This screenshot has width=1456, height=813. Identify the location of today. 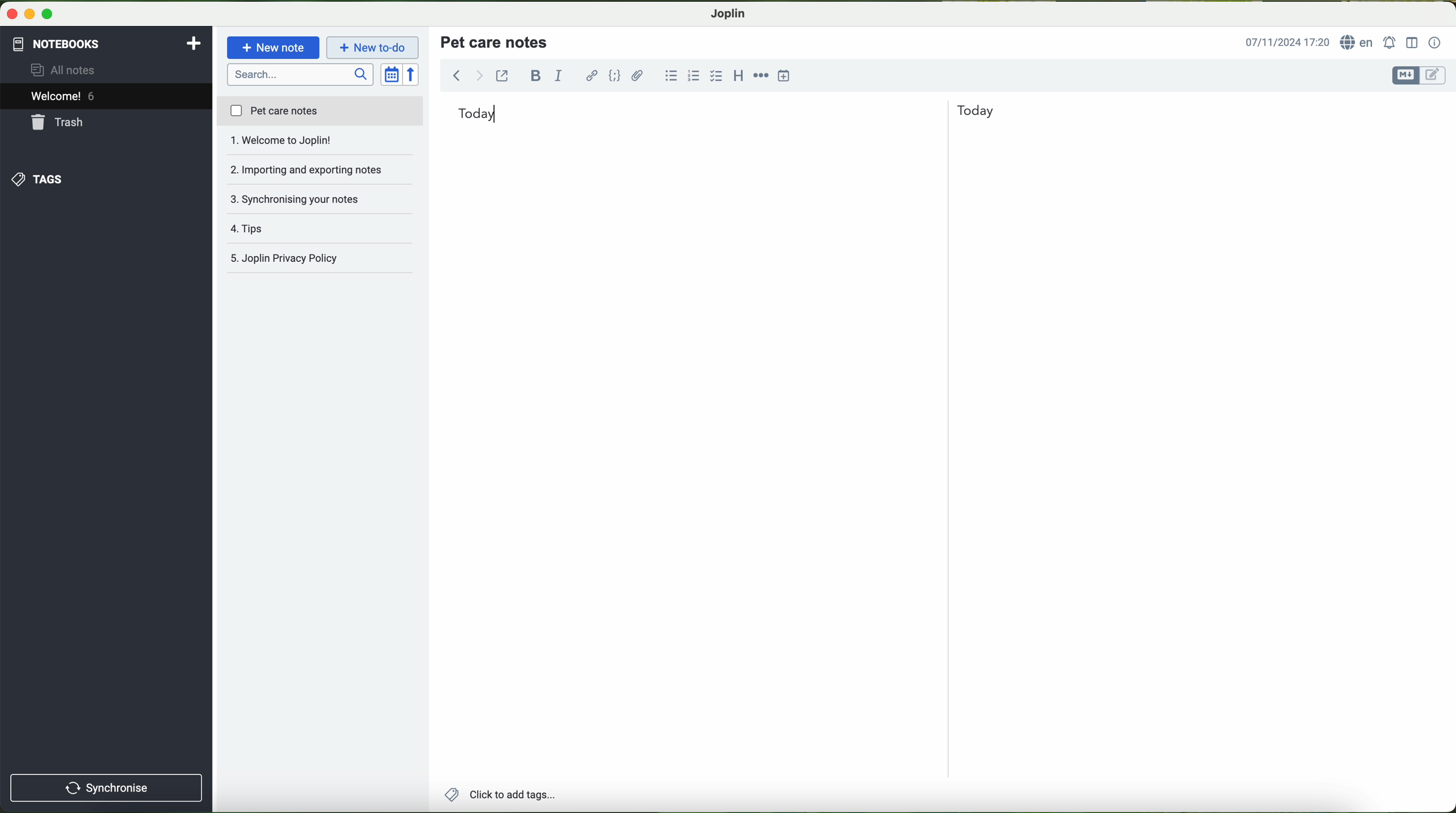
(726, 112).